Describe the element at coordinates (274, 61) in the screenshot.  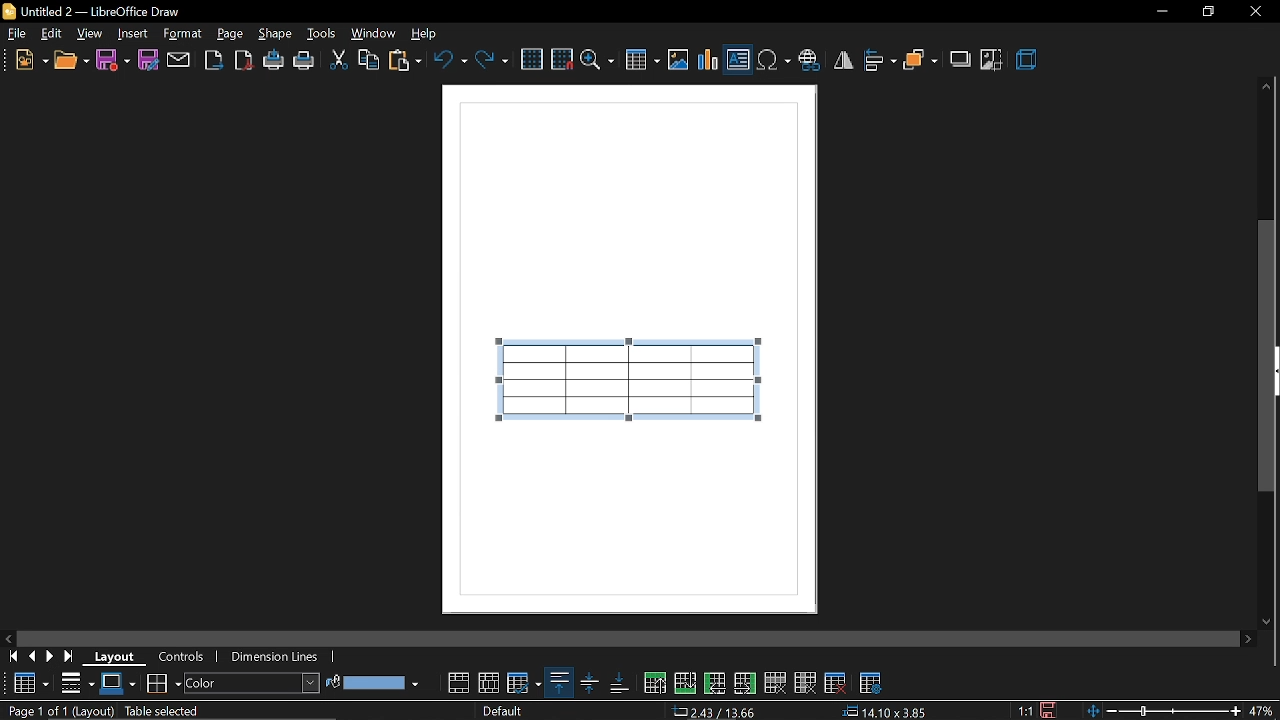
I see `print directly` at that location.